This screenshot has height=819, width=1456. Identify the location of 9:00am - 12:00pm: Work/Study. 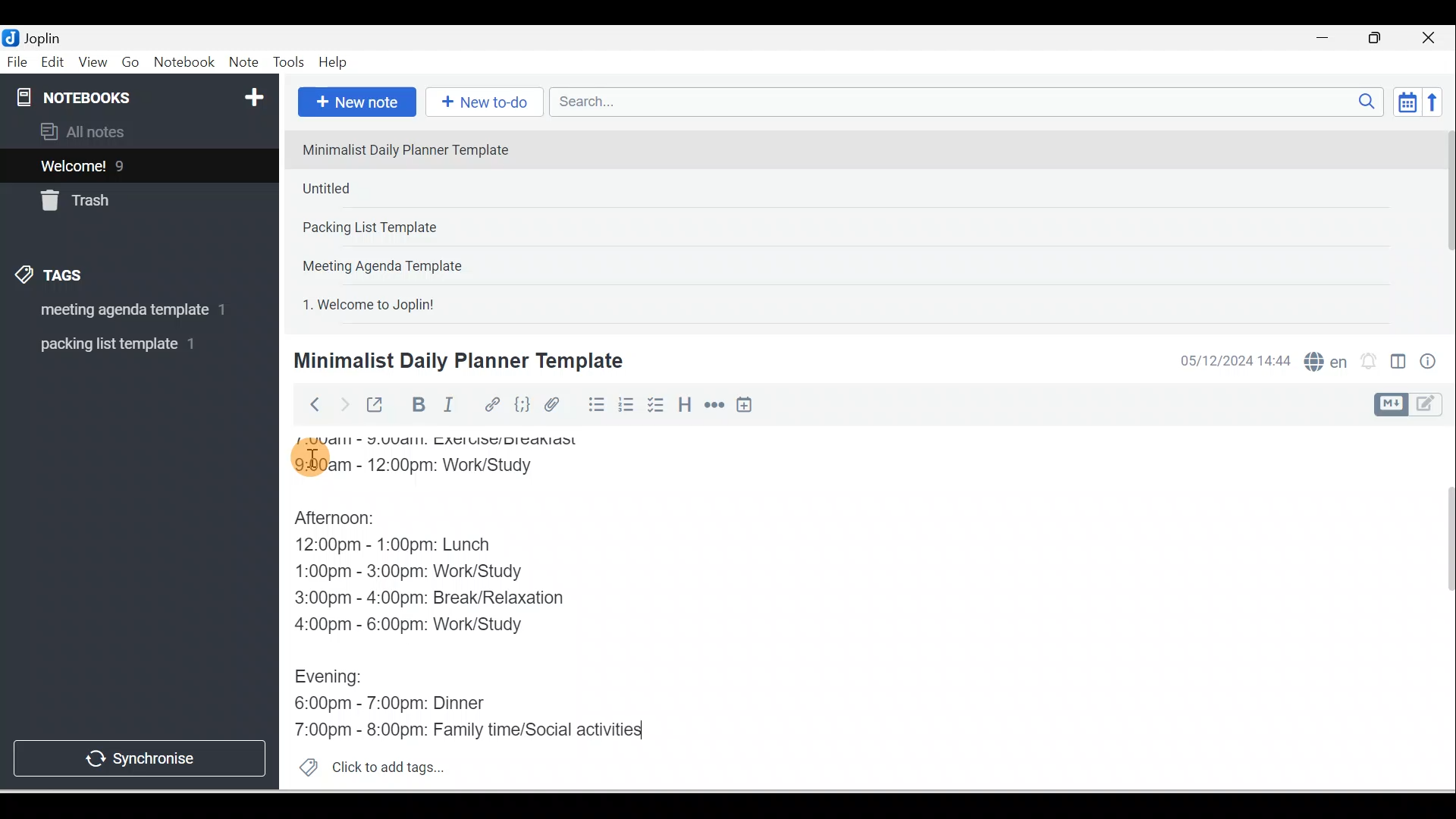
(426, 469).